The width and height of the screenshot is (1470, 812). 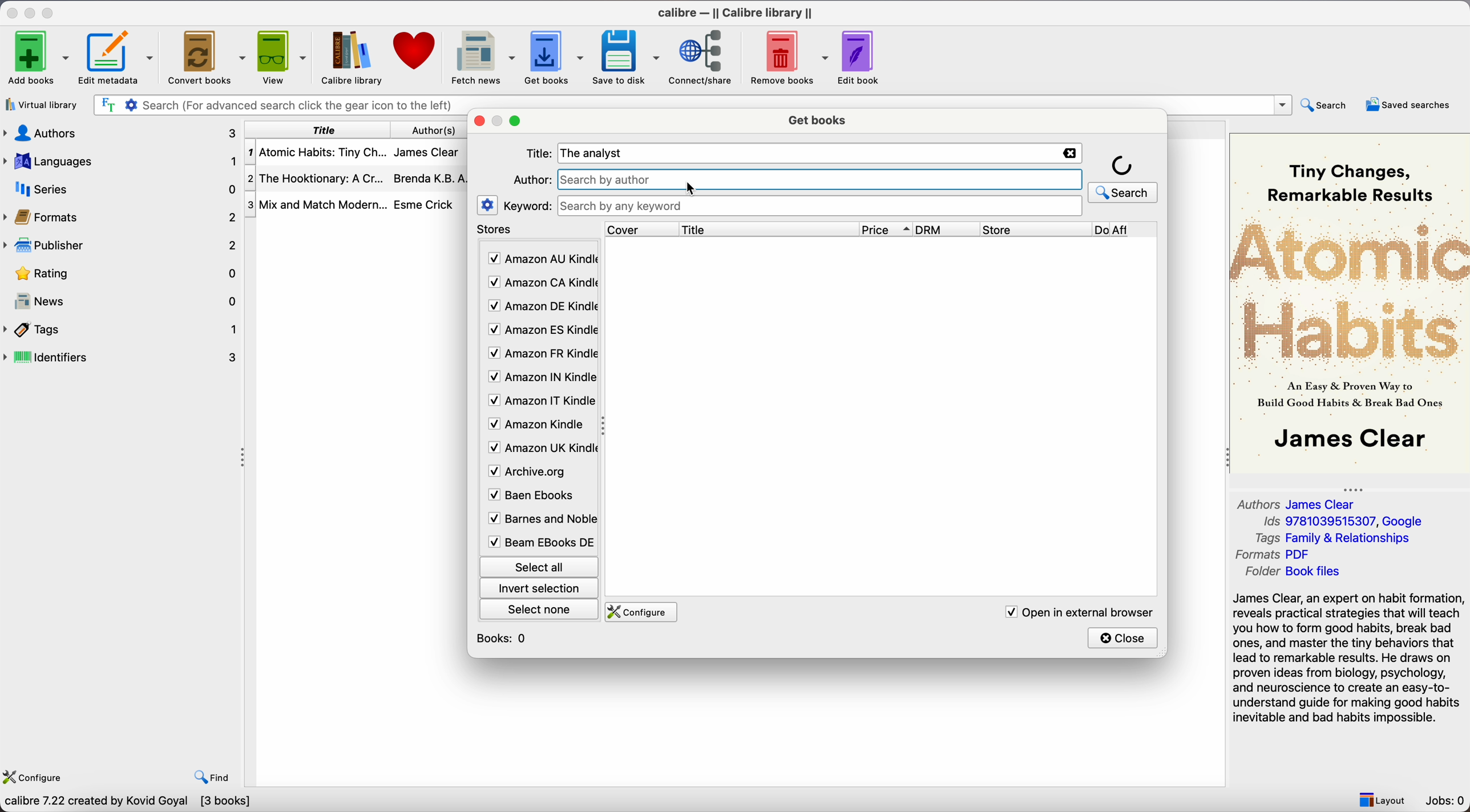 What do you see at coordinates (540, 403) in the screenshot?
I see `Amazon IT Kindle` at bounding box center [540, 403].